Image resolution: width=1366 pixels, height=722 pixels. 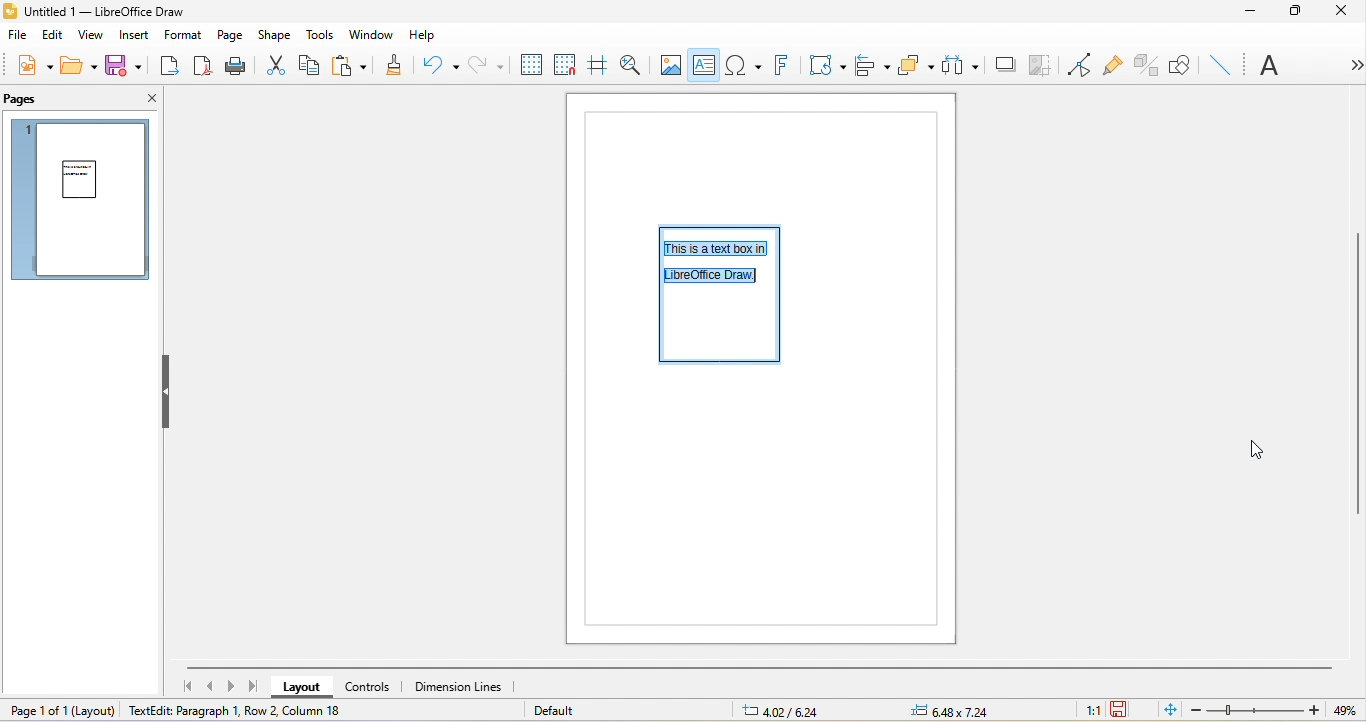 I want to click on zoom, so click(x=1275, y=710).